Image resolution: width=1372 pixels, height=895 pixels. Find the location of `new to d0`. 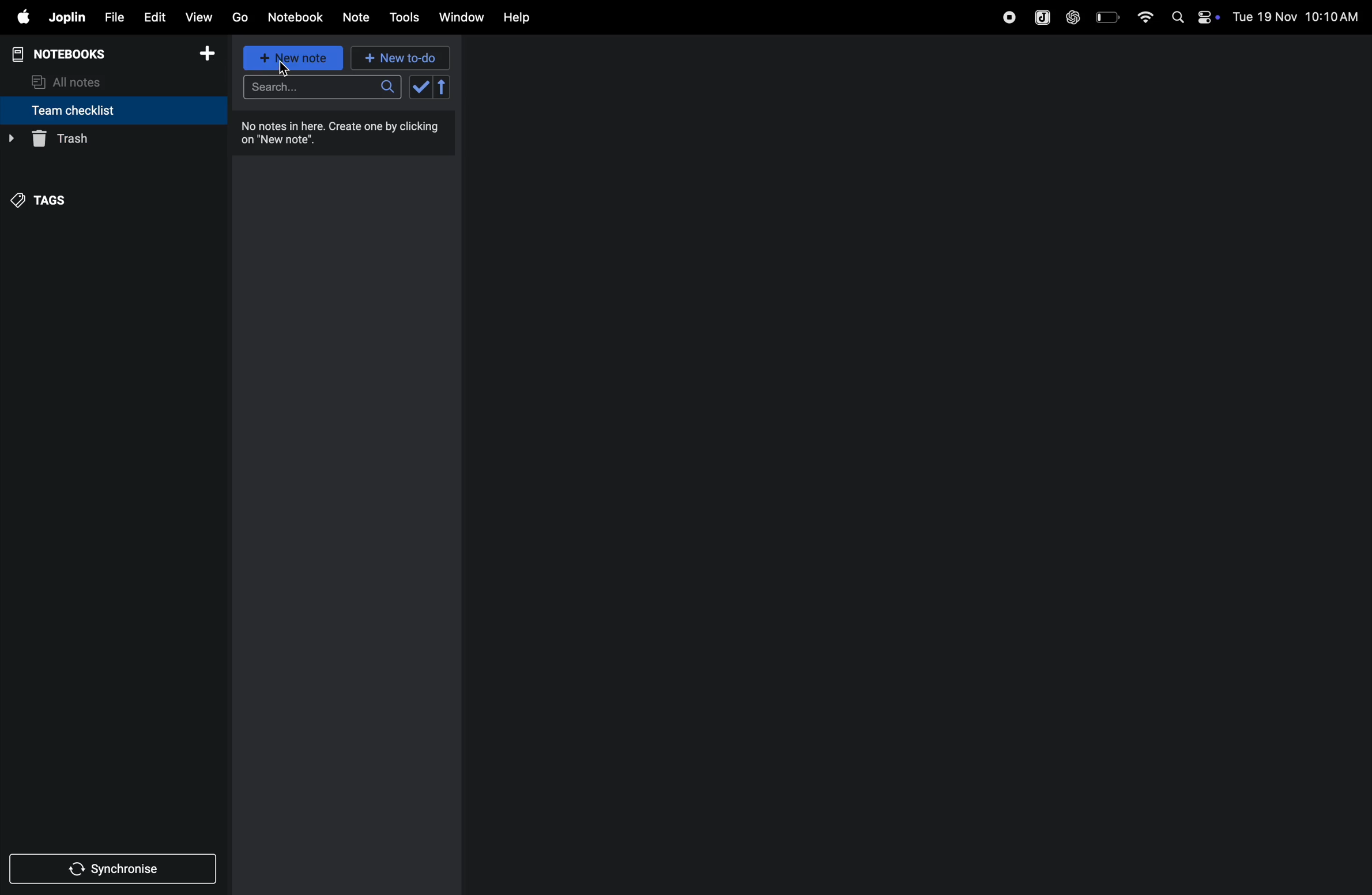

new to d0 is located at coordinates (398, 58).